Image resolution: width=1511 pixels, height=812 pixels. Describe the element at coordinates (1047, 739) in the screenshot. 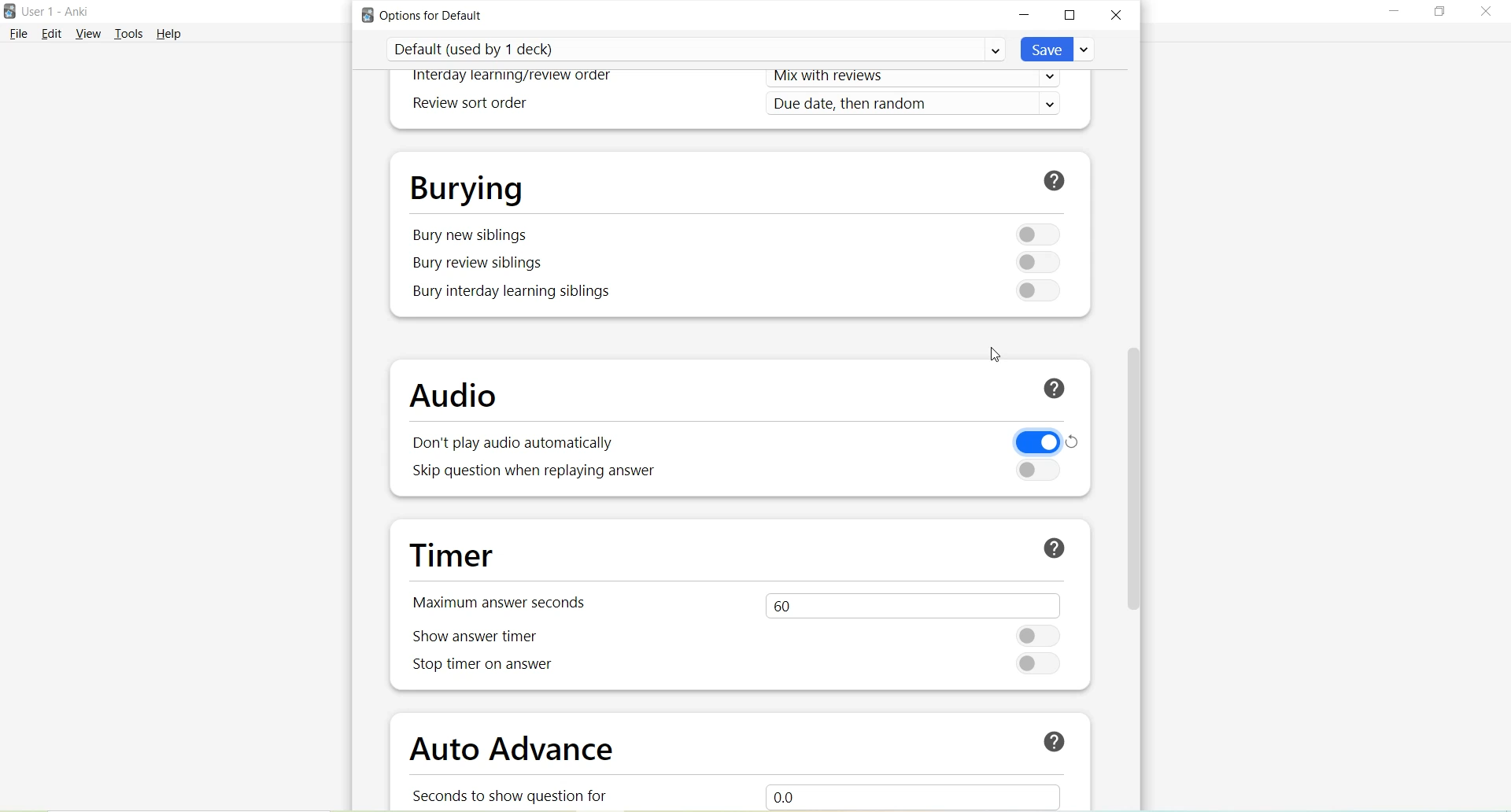

I see `What's this?` at that location.